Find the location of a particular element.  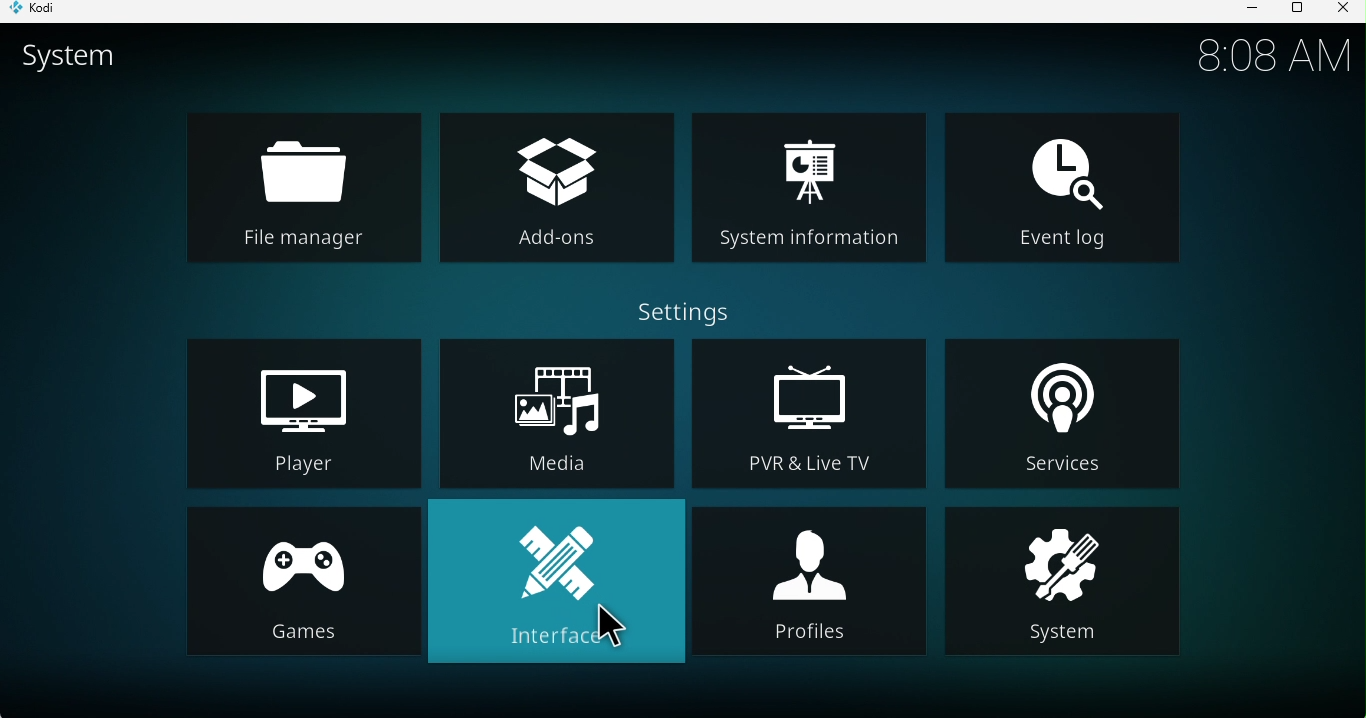

Settings is located at coordinates (682, 312).